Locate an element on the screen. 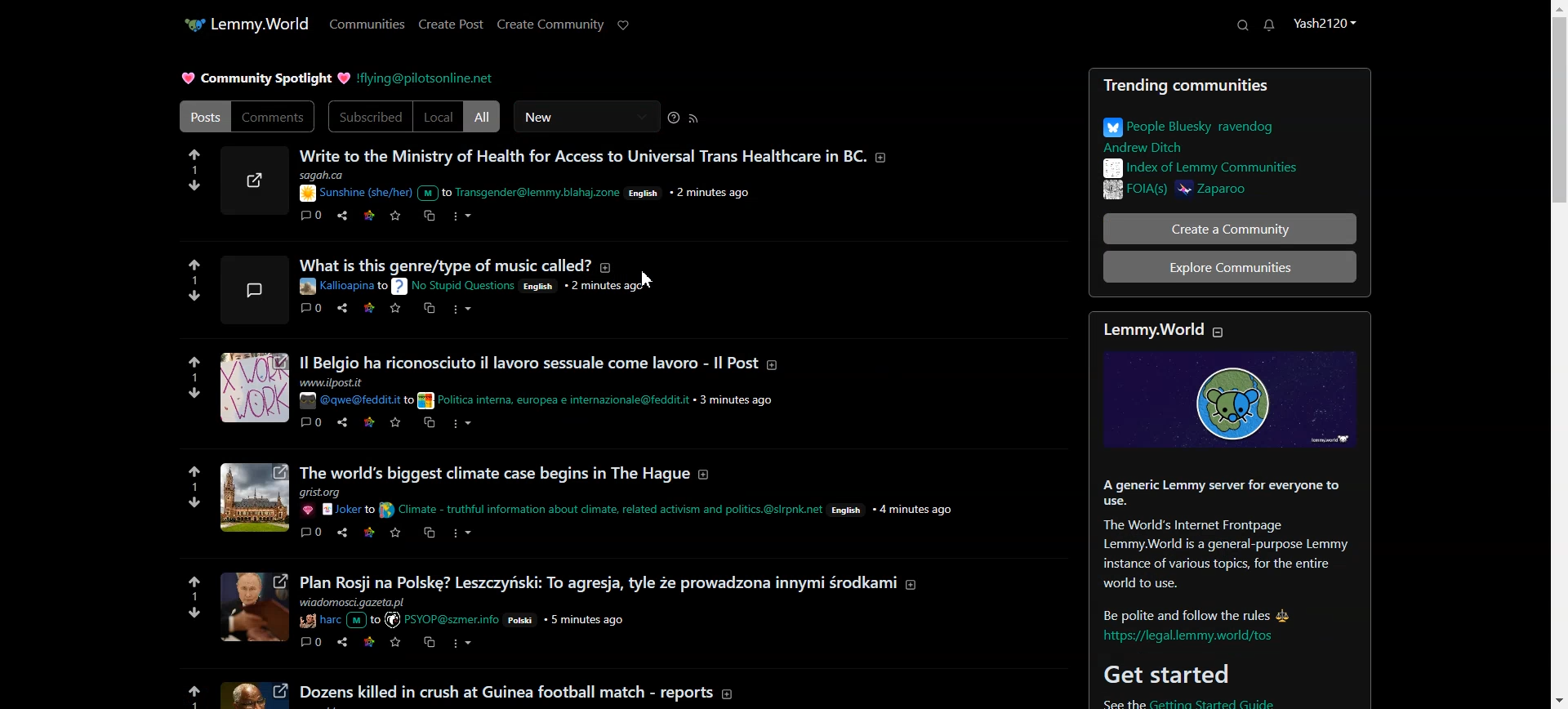 Image resolution: width=1568 pixels, height=709 pixels. comment is located at coordinates (310, 643).